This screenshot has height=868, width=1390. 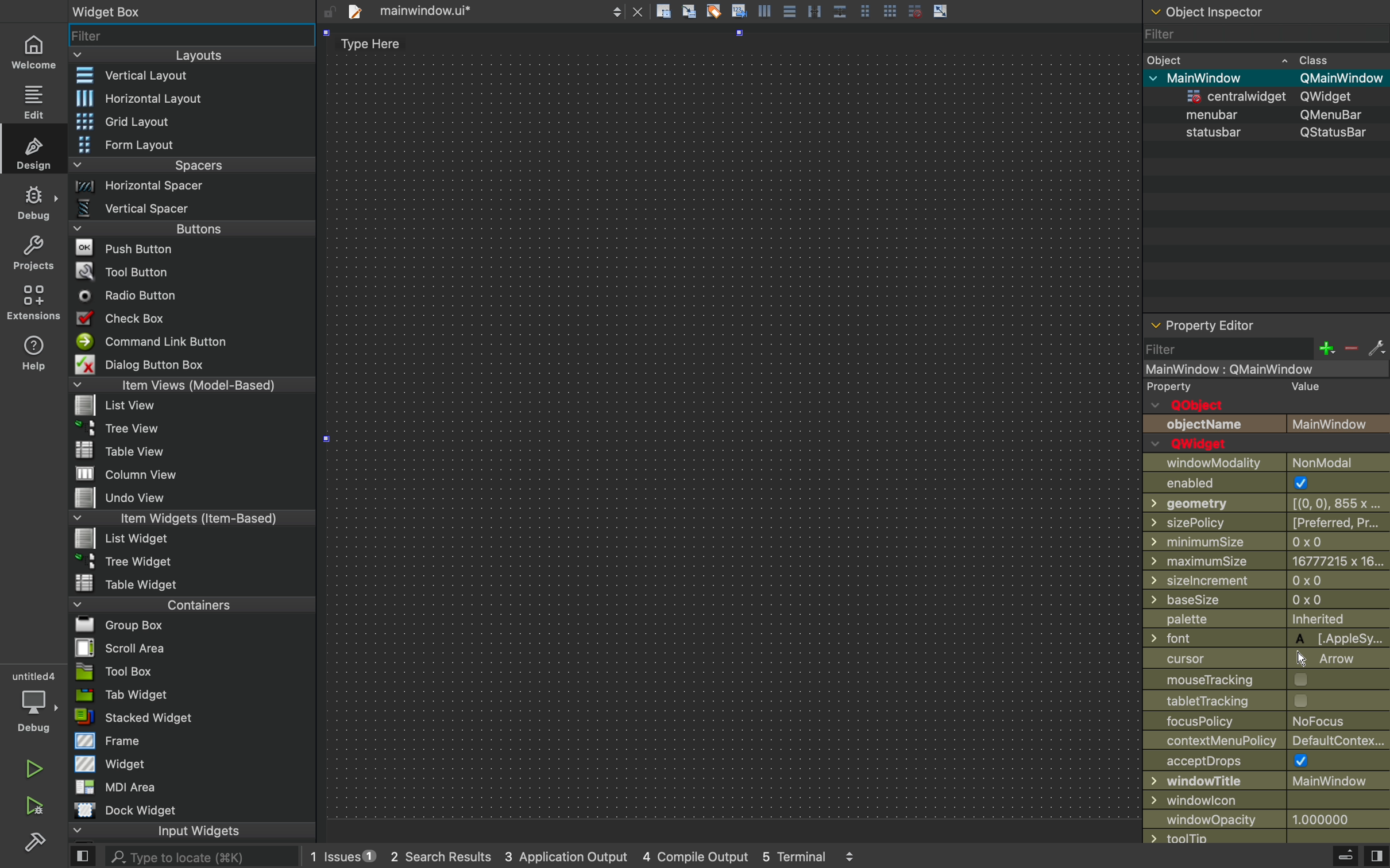 I want to click on push buttons, so click(x=193, y=247).